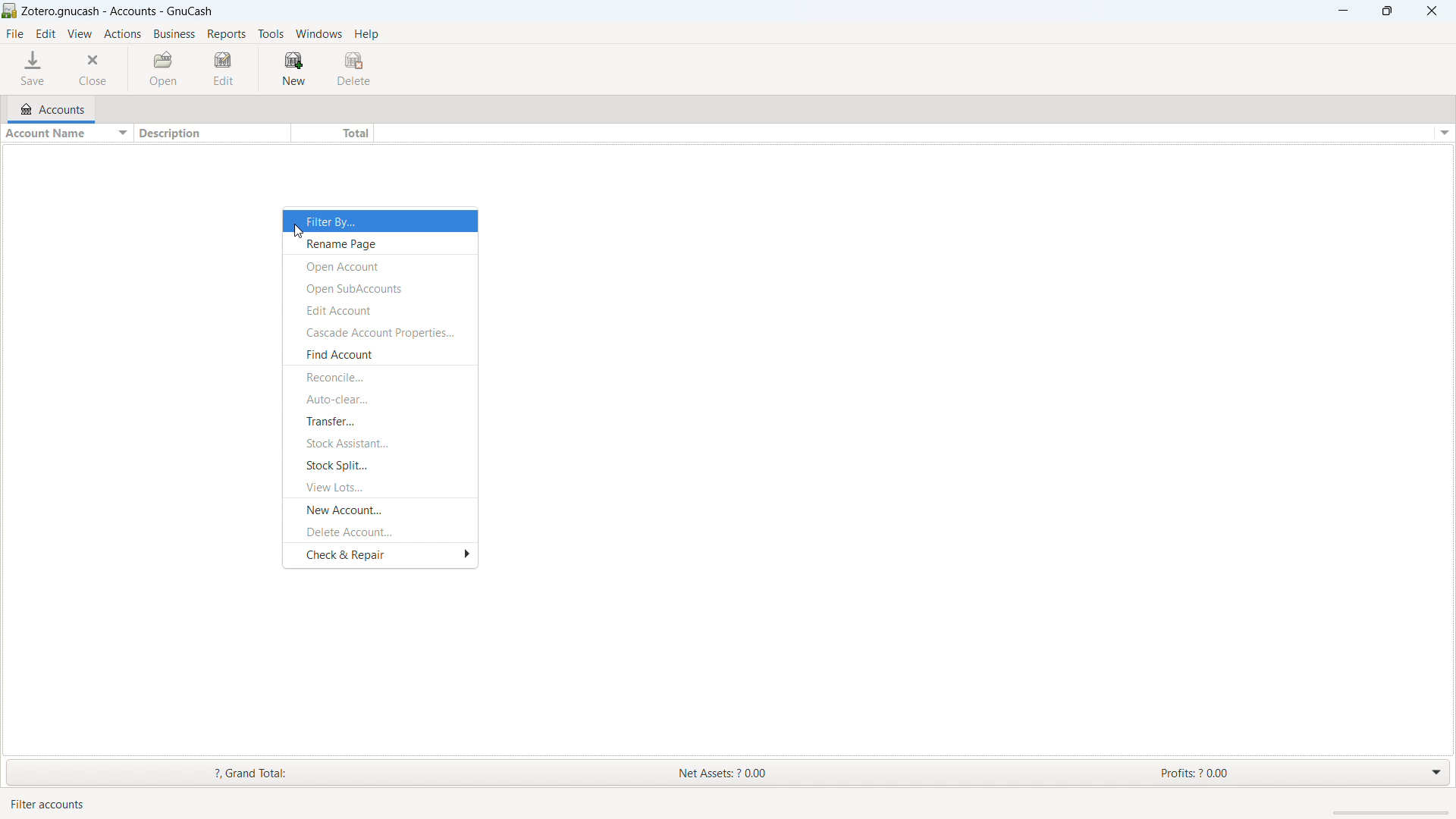 This screenshot has width=1456, height=819. I want to click on business, so click(174, 34).